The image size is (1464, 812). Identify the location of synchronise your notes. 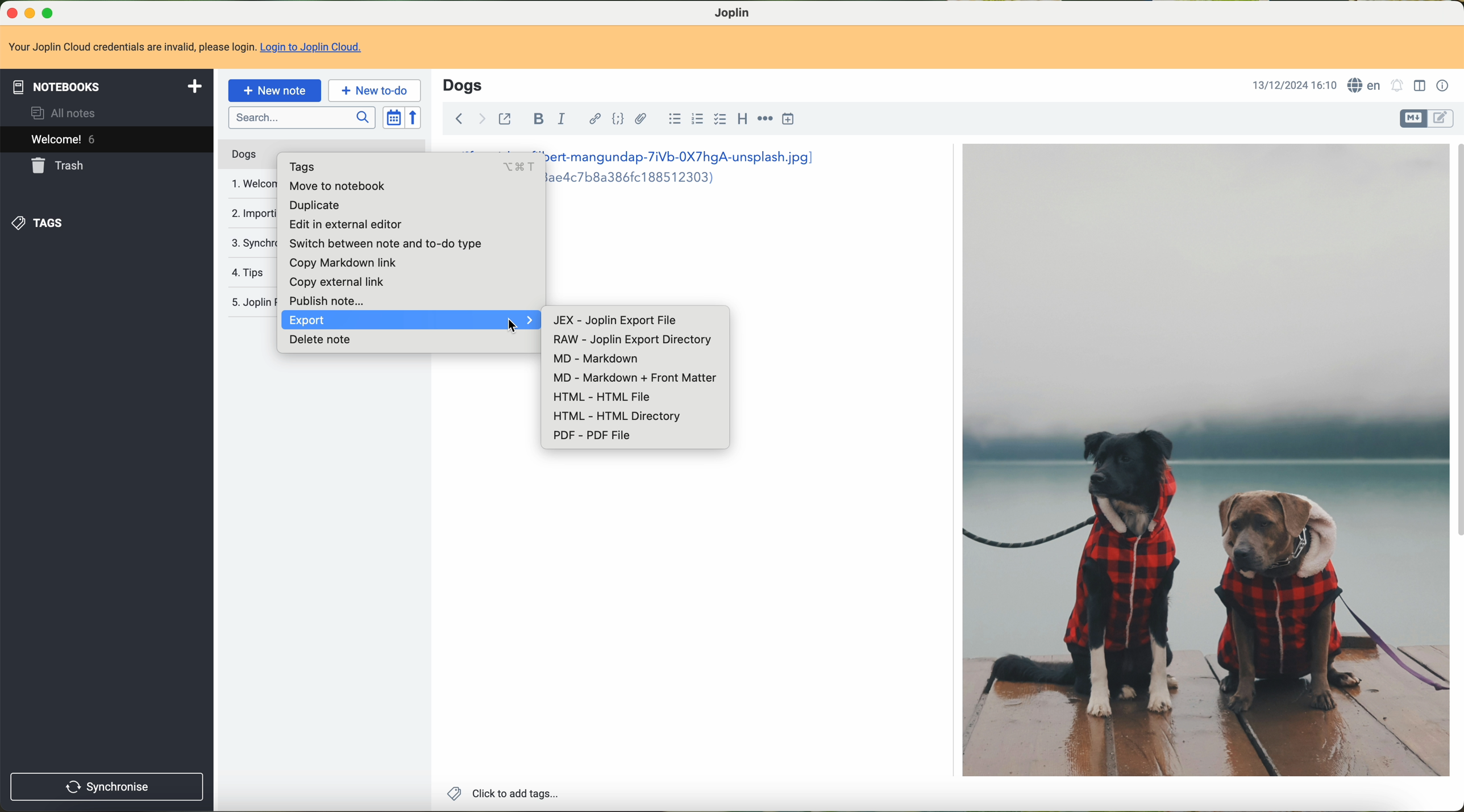
(252, 241).